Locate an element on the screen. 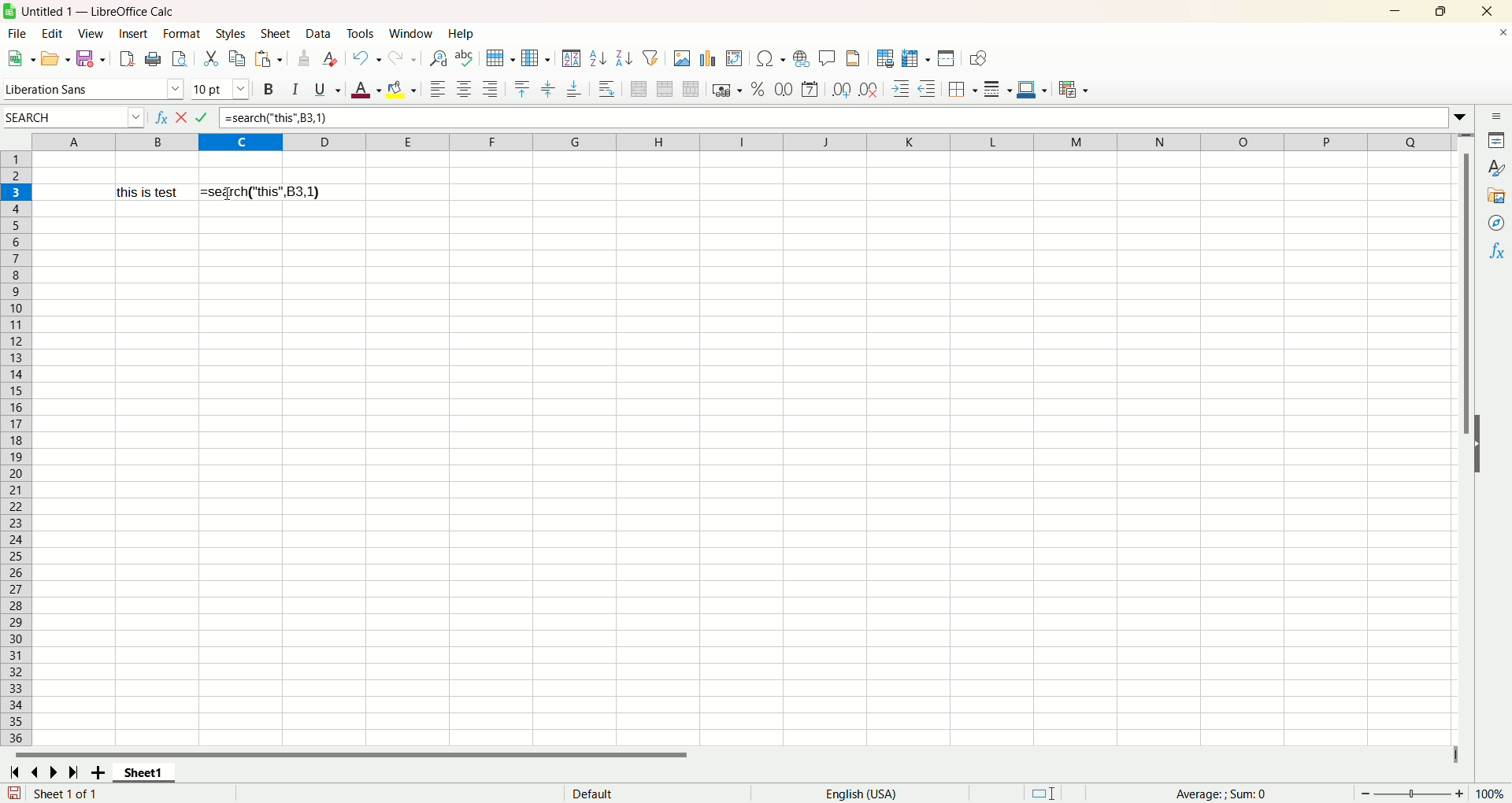 The height and width of the screenshot is (803, 1512). functions is located at coordinates (1496, 250).